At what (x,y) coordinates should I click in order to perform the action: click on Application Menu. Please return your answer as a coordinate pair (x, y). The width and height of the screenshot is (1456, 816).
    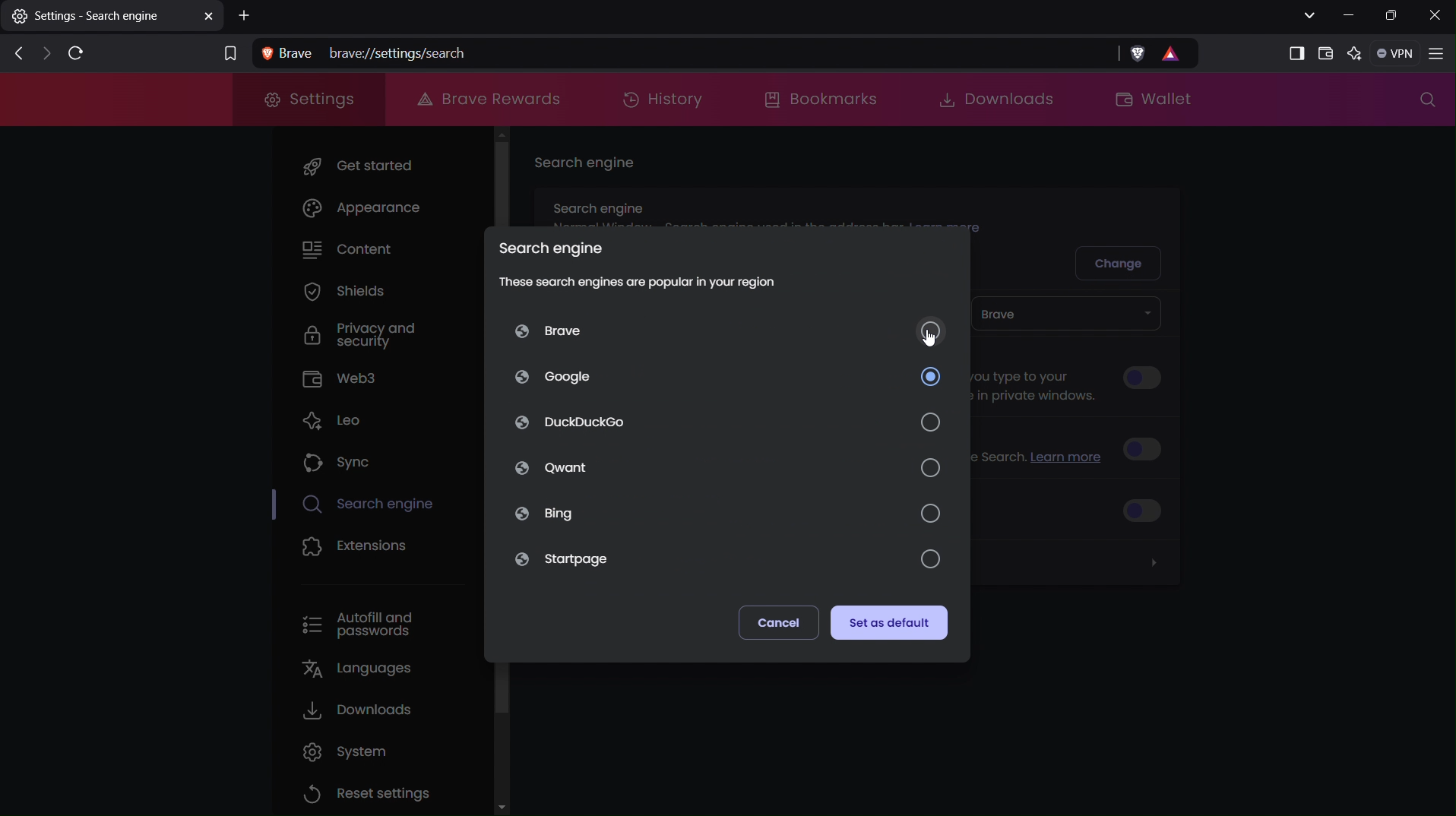
    Looking at the image, I should click on (1439, 55).